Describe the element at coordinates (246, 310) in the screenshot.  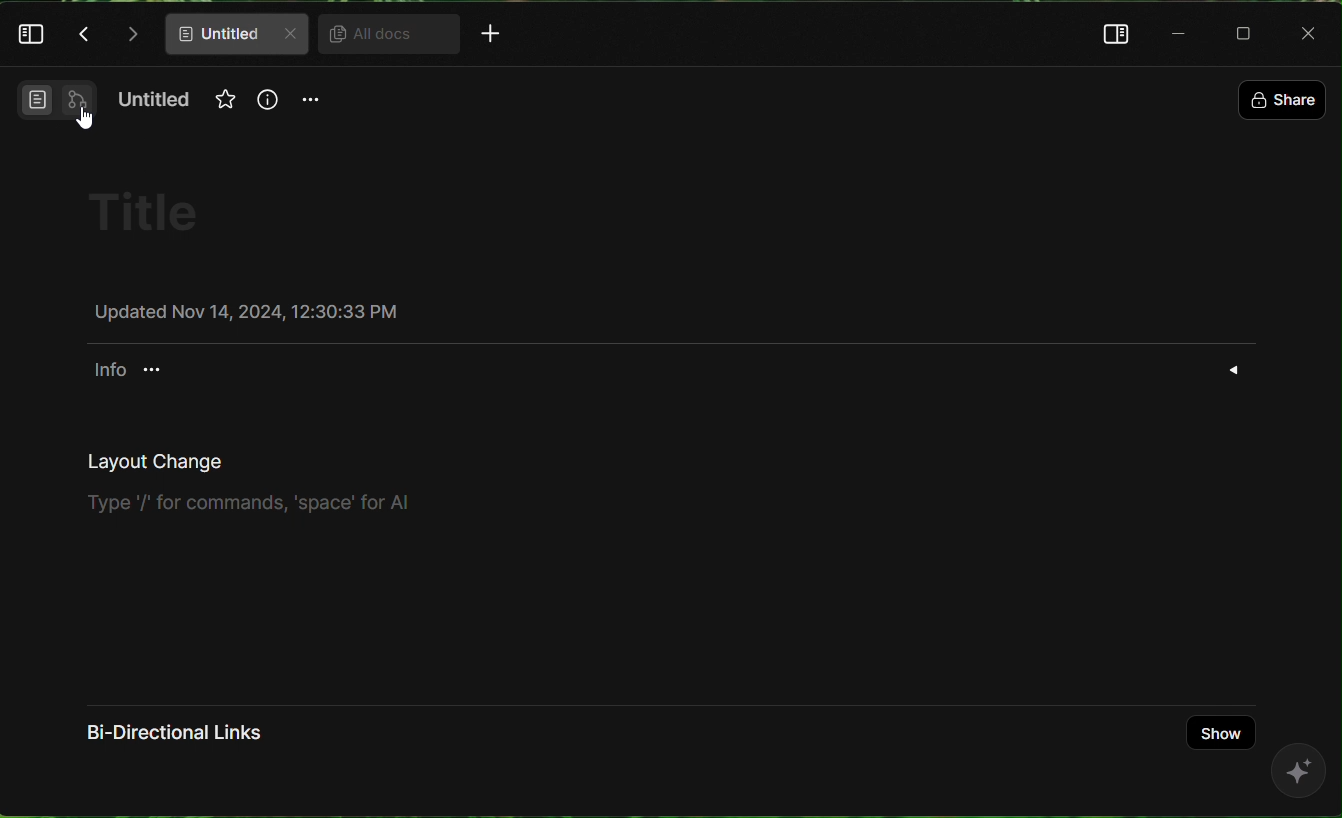
I see `updated` at that location.